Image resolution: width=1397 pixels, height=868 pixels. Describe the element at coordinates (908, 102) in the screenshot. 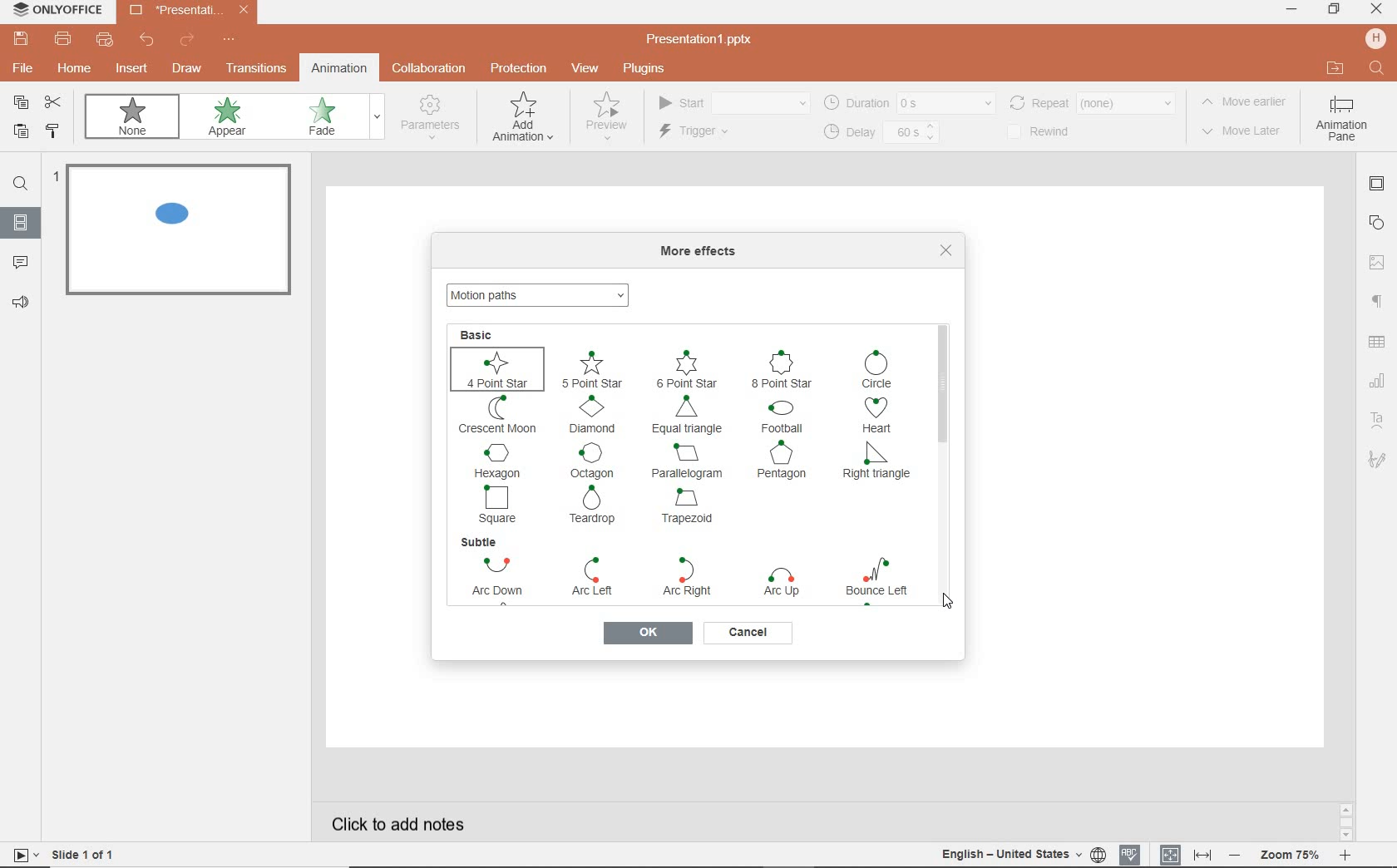

I see `duration` at that location.